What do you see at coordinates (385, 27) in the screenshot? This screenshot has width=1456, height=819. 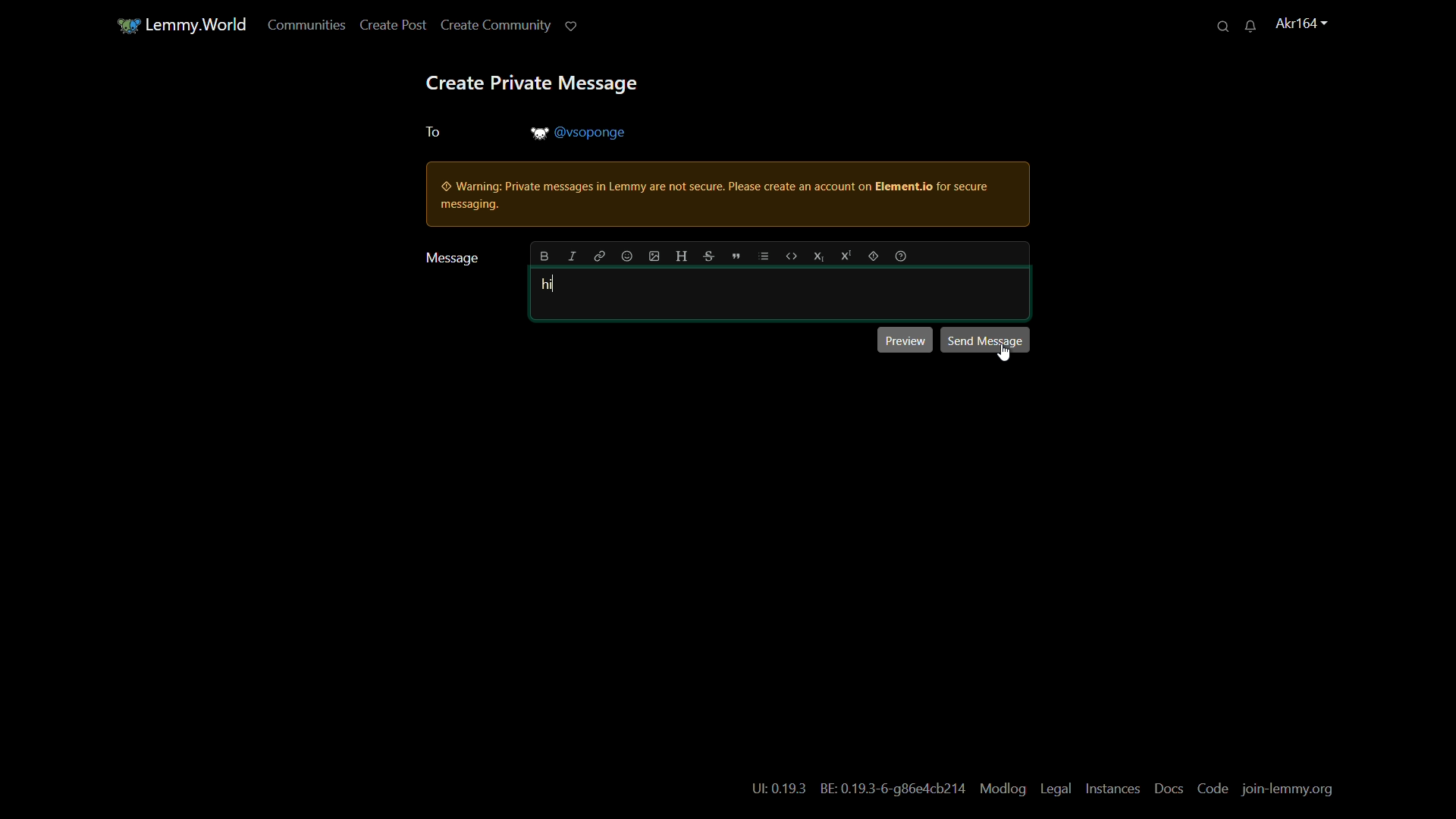 I see `create post` at bounding box center [385, 27].